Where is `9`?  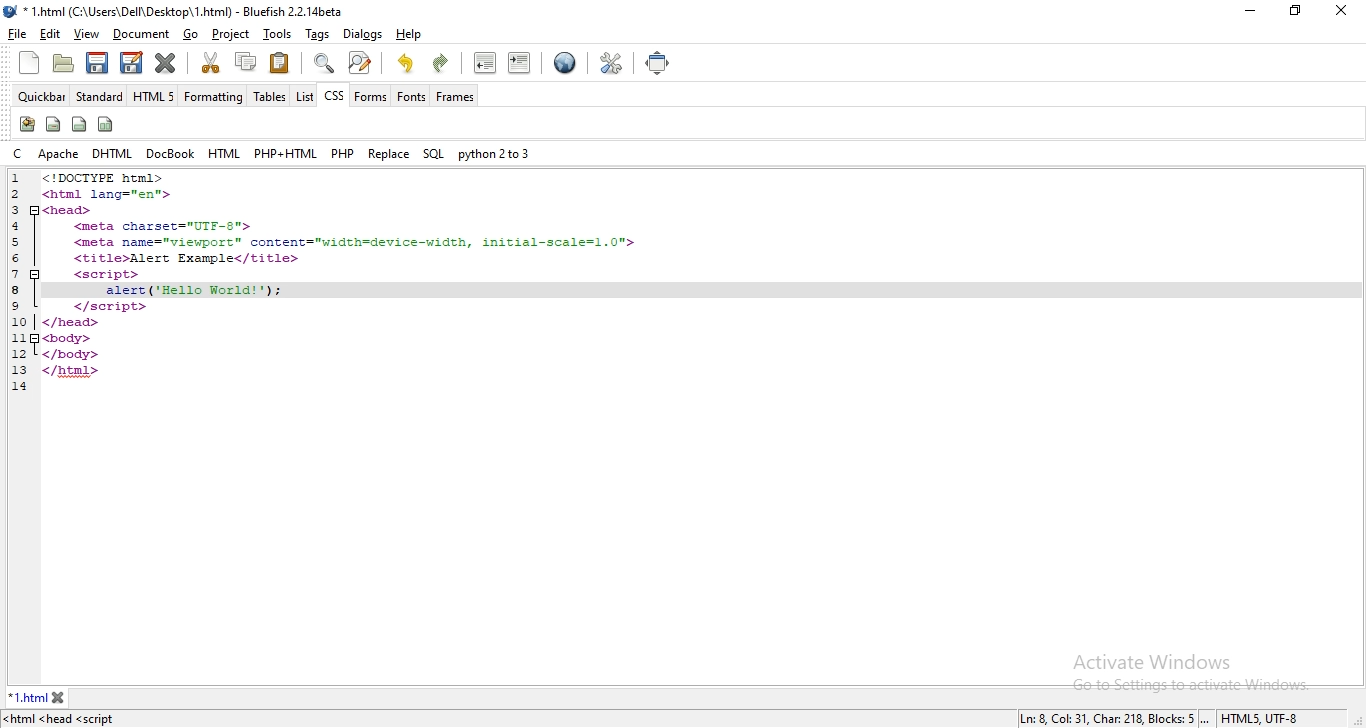 9 is located at coordinates (15, 305).